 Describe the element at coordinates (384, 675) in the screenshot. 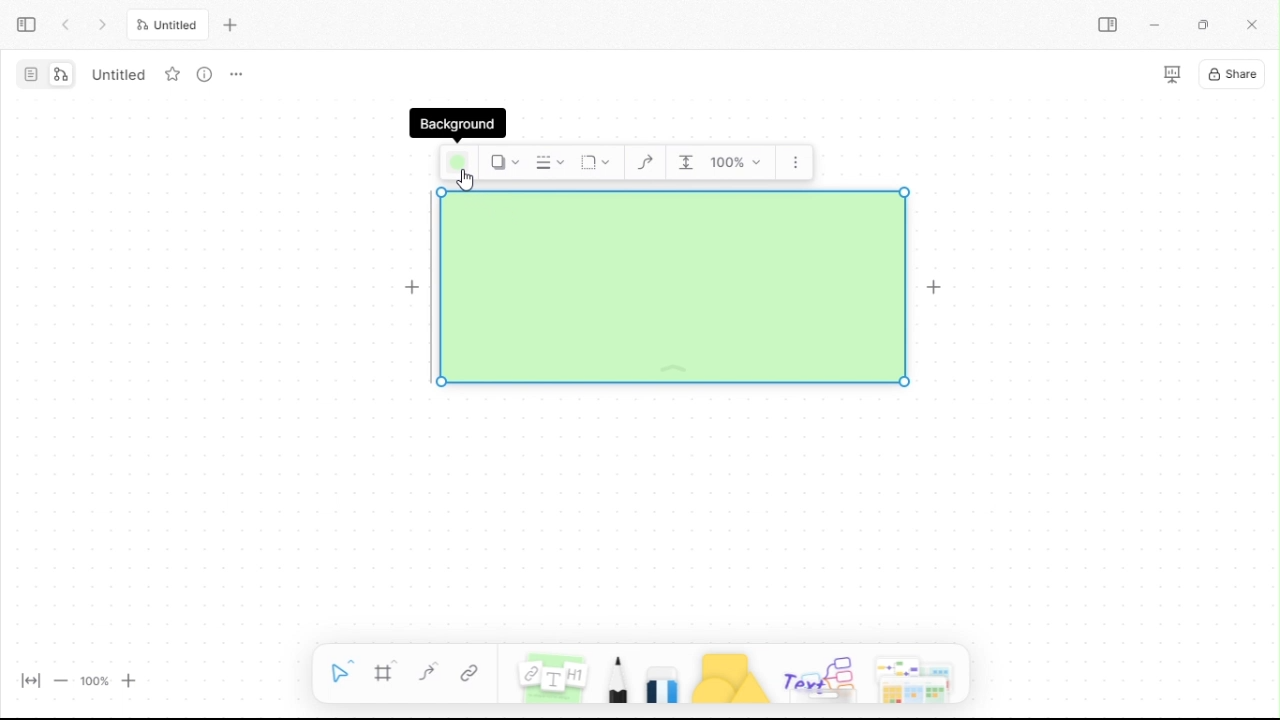

I see `frame` at that location.